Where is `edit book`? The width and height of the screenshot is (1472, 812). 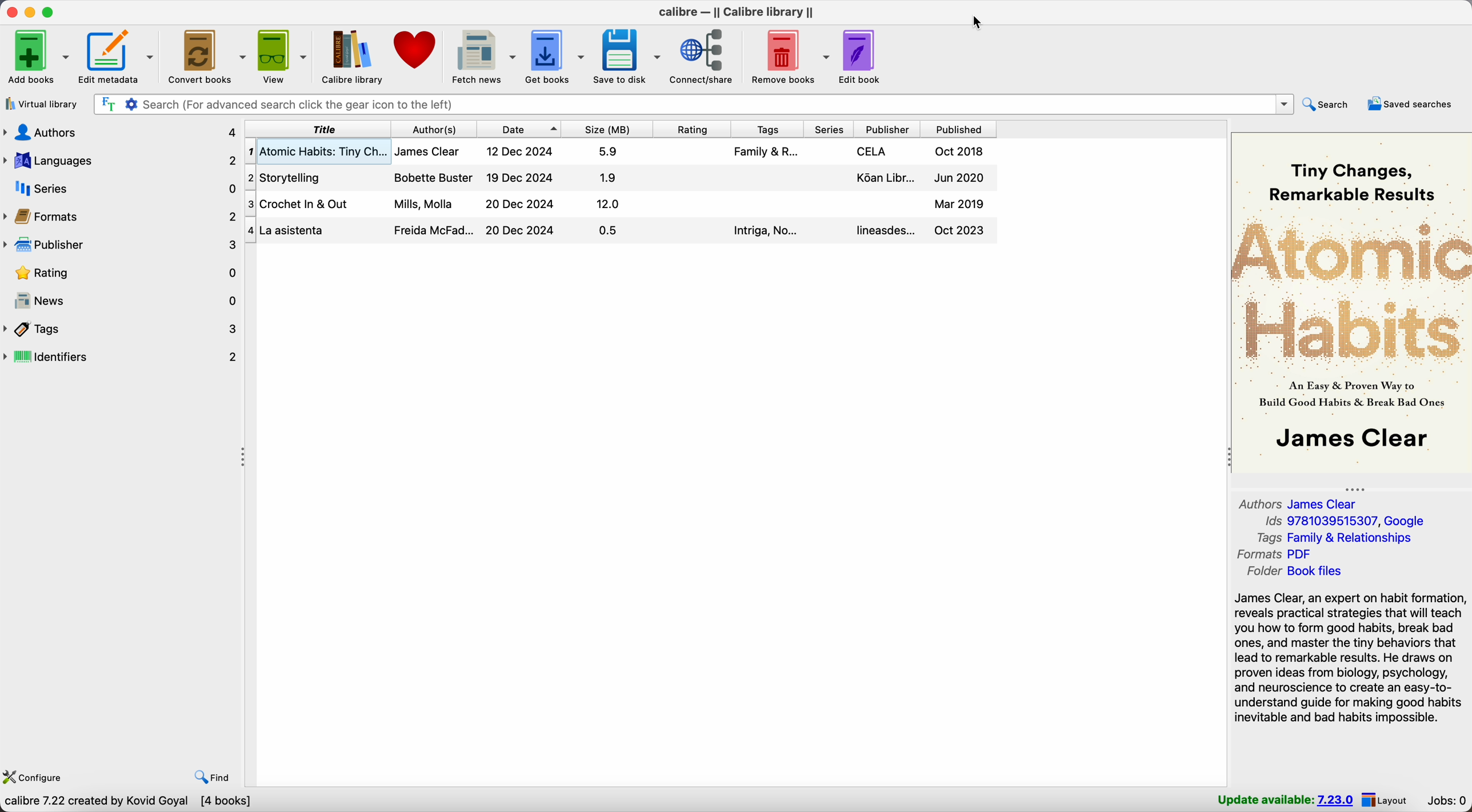 edit book is located at coordinates (862, 57).